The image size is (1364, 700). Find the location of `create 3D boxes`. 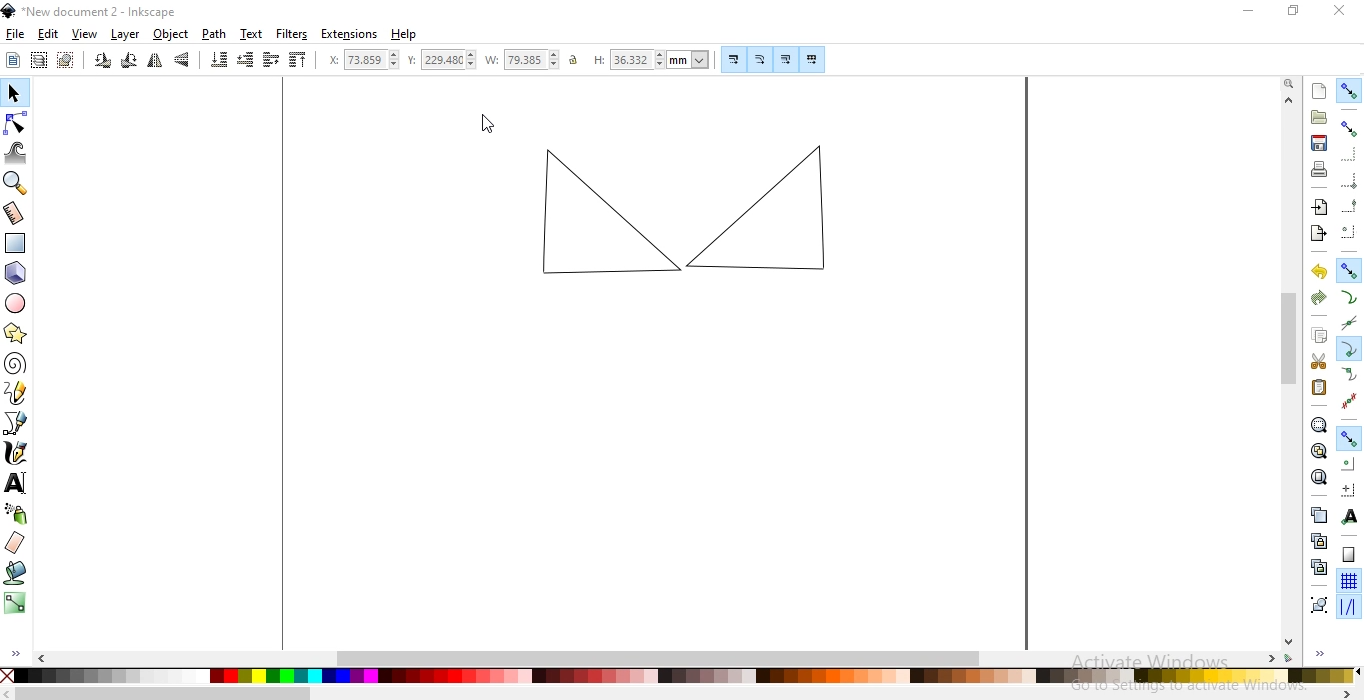

create 3D boxes is located at coordinates (15, 274).